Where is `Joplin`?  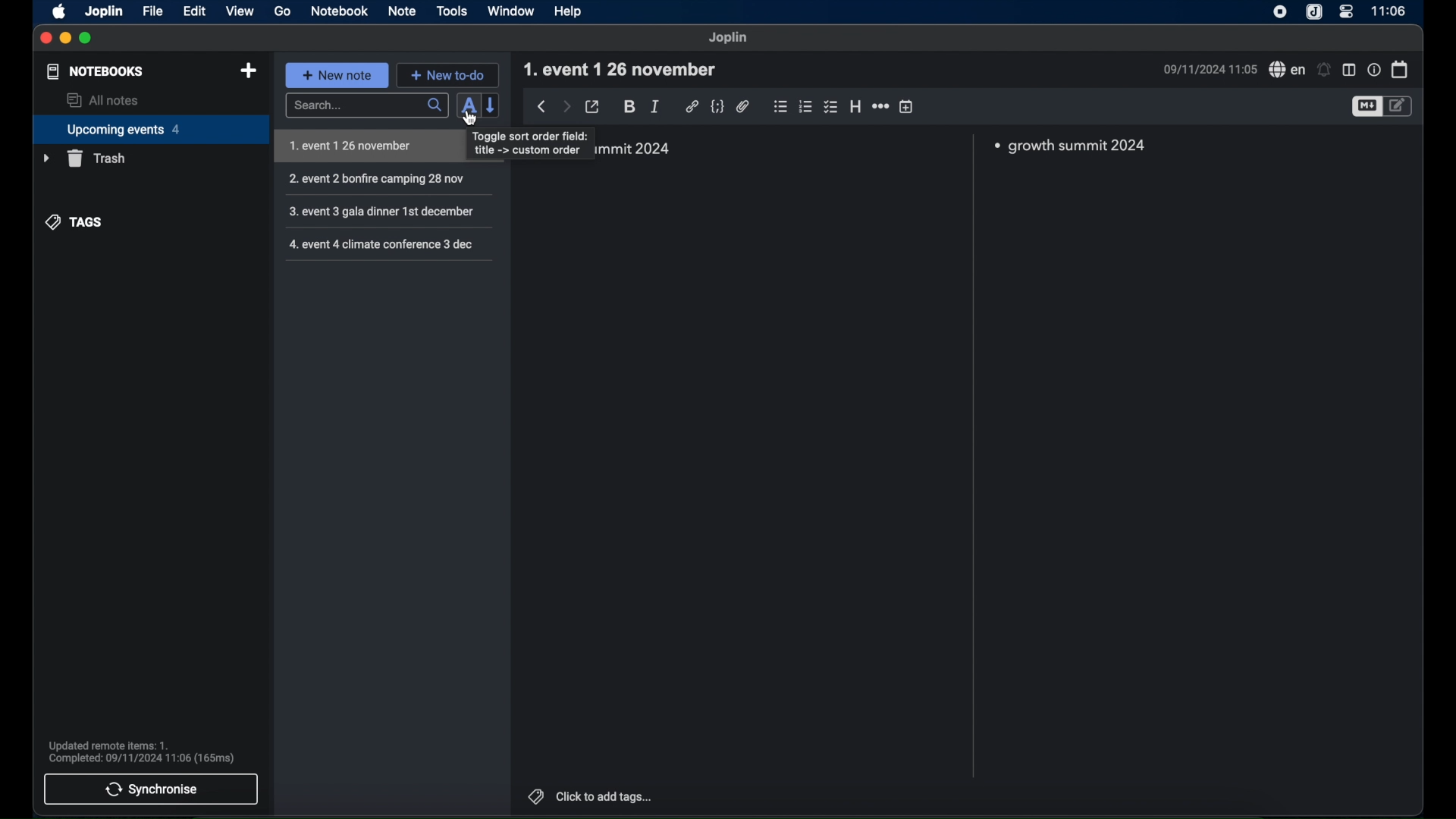
Joplin is located at coordinates (728, 38).